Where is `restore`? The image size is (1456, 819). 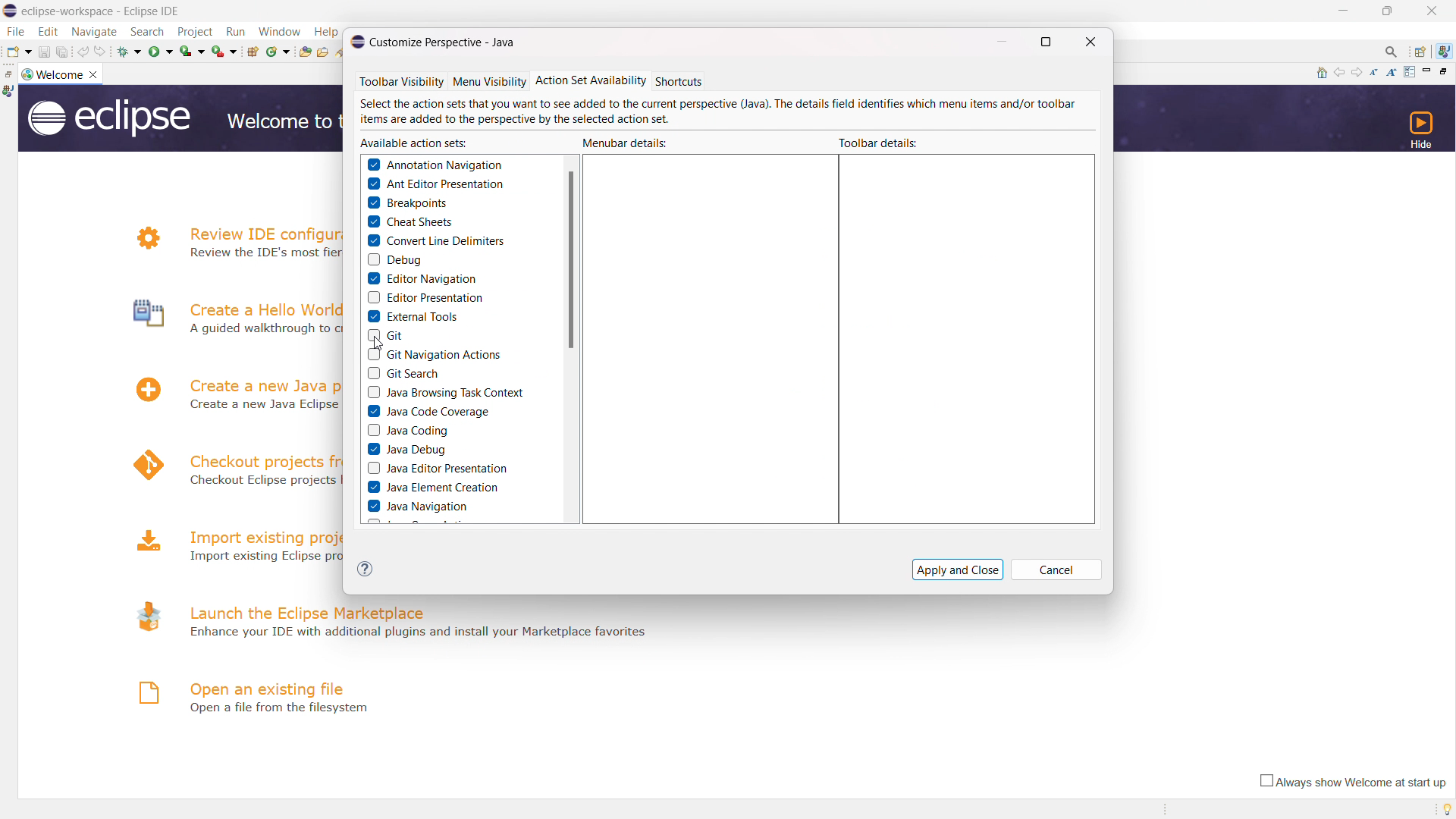 restore is located at coordinates (1447, 71).